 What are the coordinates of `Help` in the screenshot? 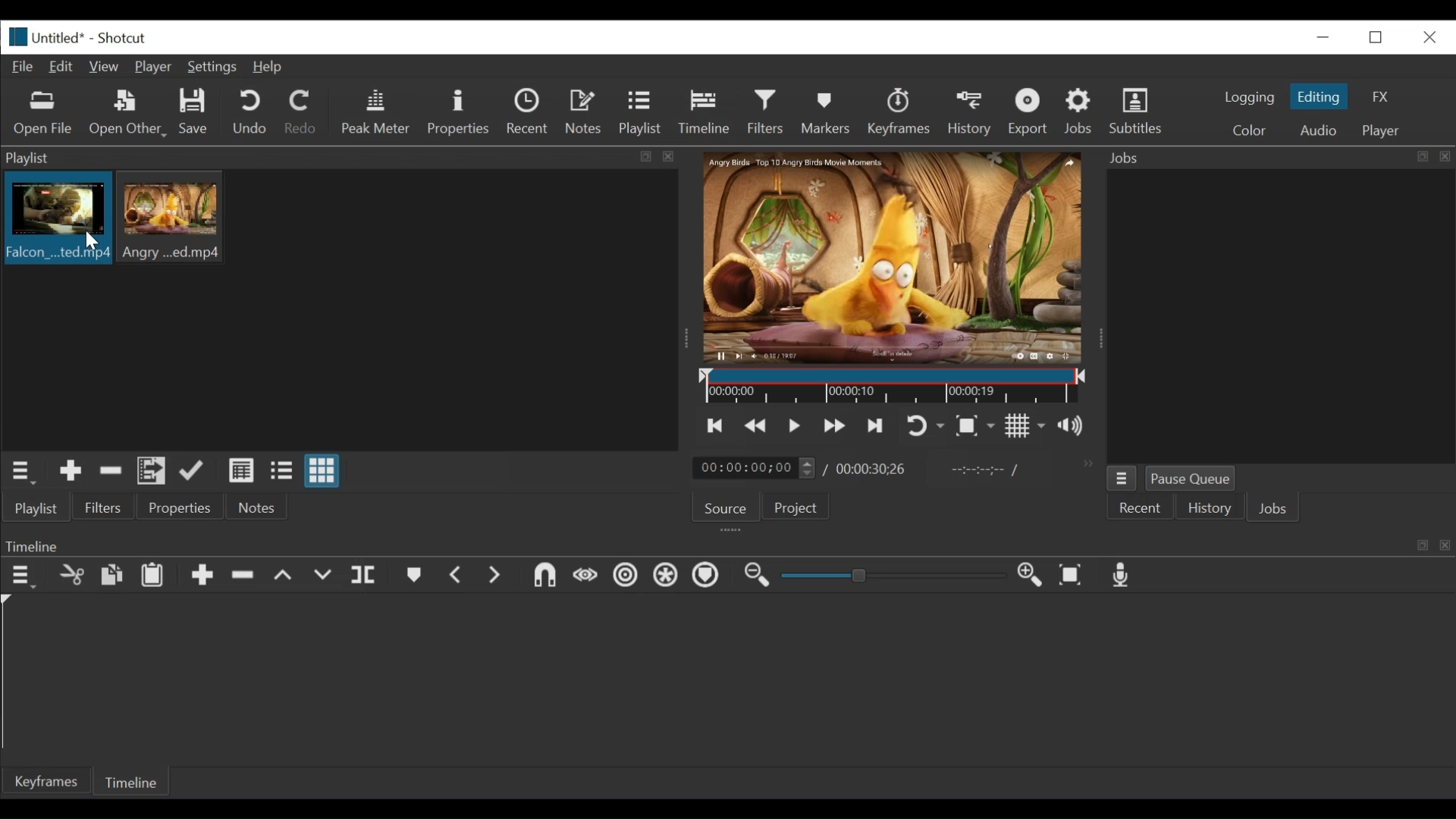 It's located at (268, 67).